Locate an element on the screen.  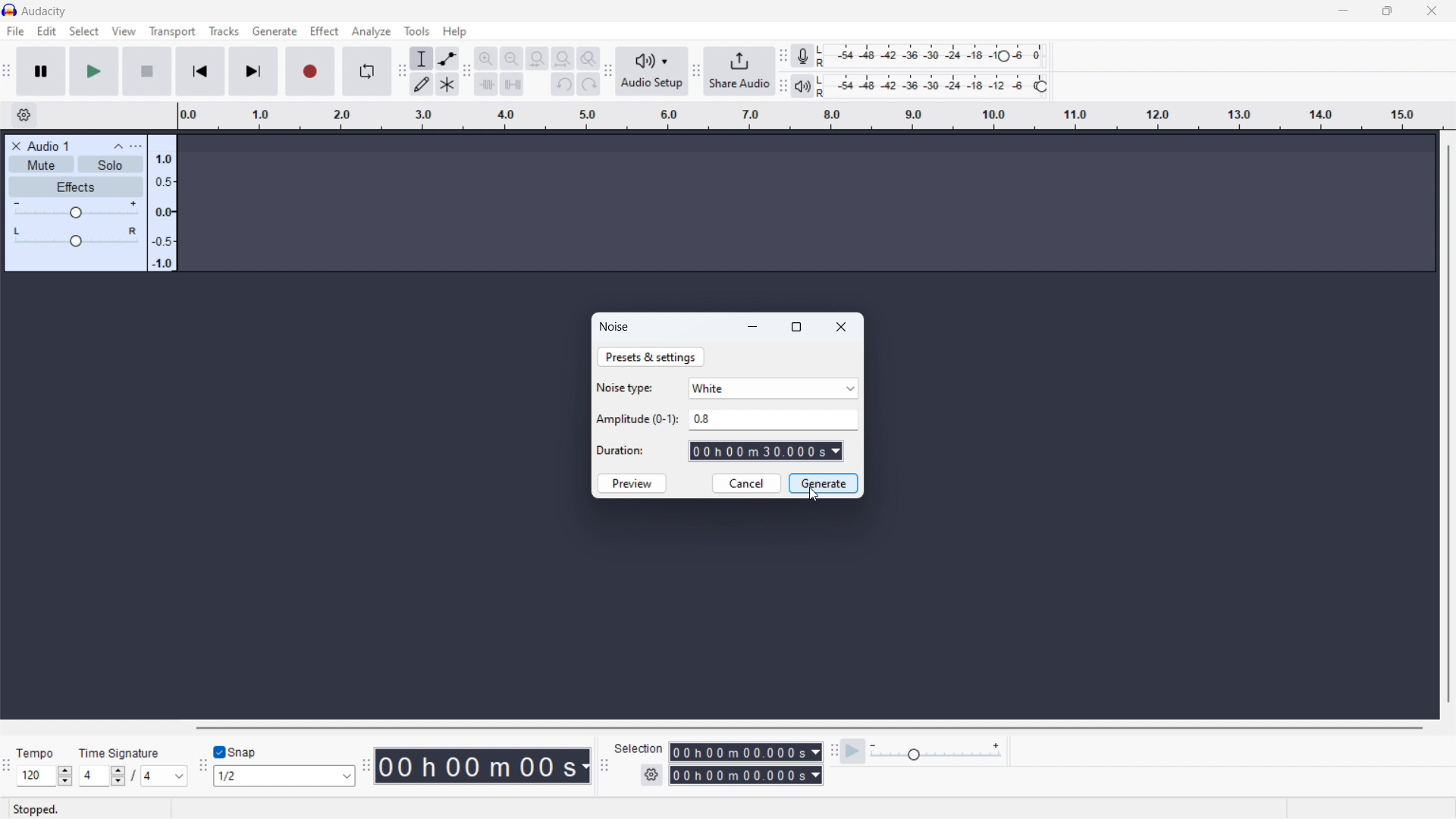
Tools is located at coordinates (417, 30).